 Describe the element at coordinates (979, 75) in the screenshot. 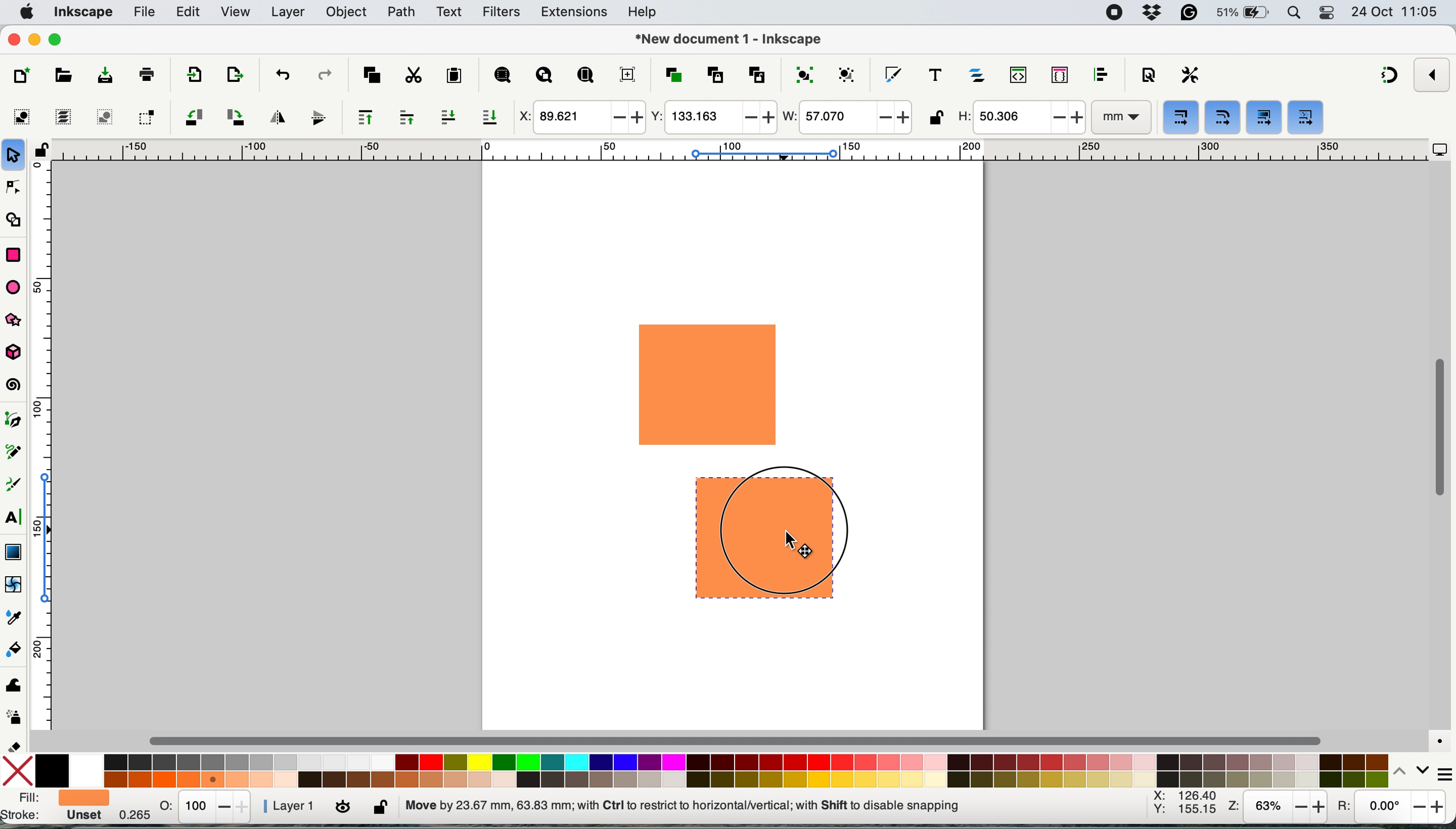

I see `layers and objects` at that location.